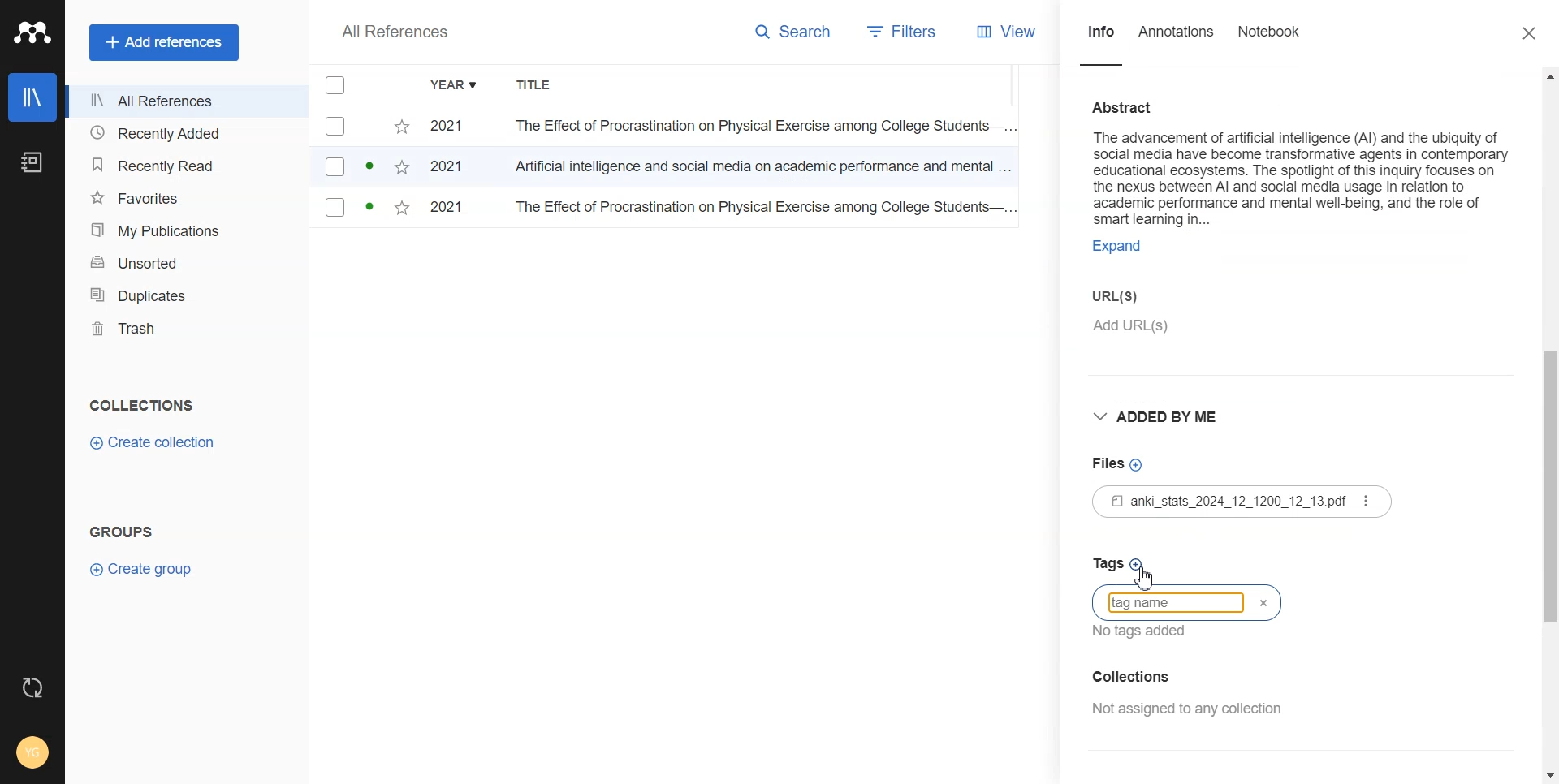 The image size is (1559, 784). I want to click on File, so click(1241, 502).